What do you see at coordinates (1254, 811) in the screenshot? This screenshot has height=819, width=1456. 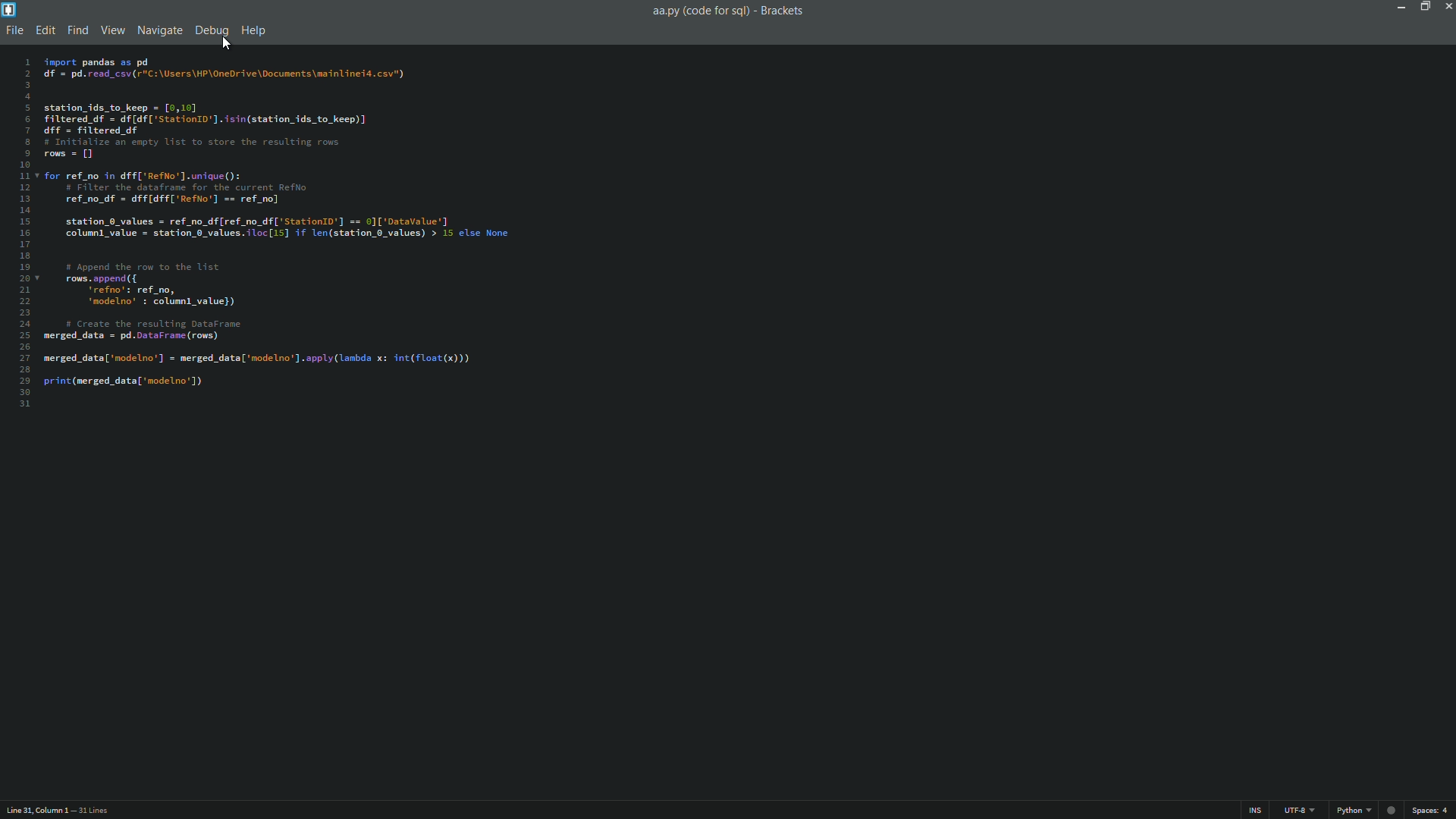 I see `ins` at bounding box center [1254, 811].